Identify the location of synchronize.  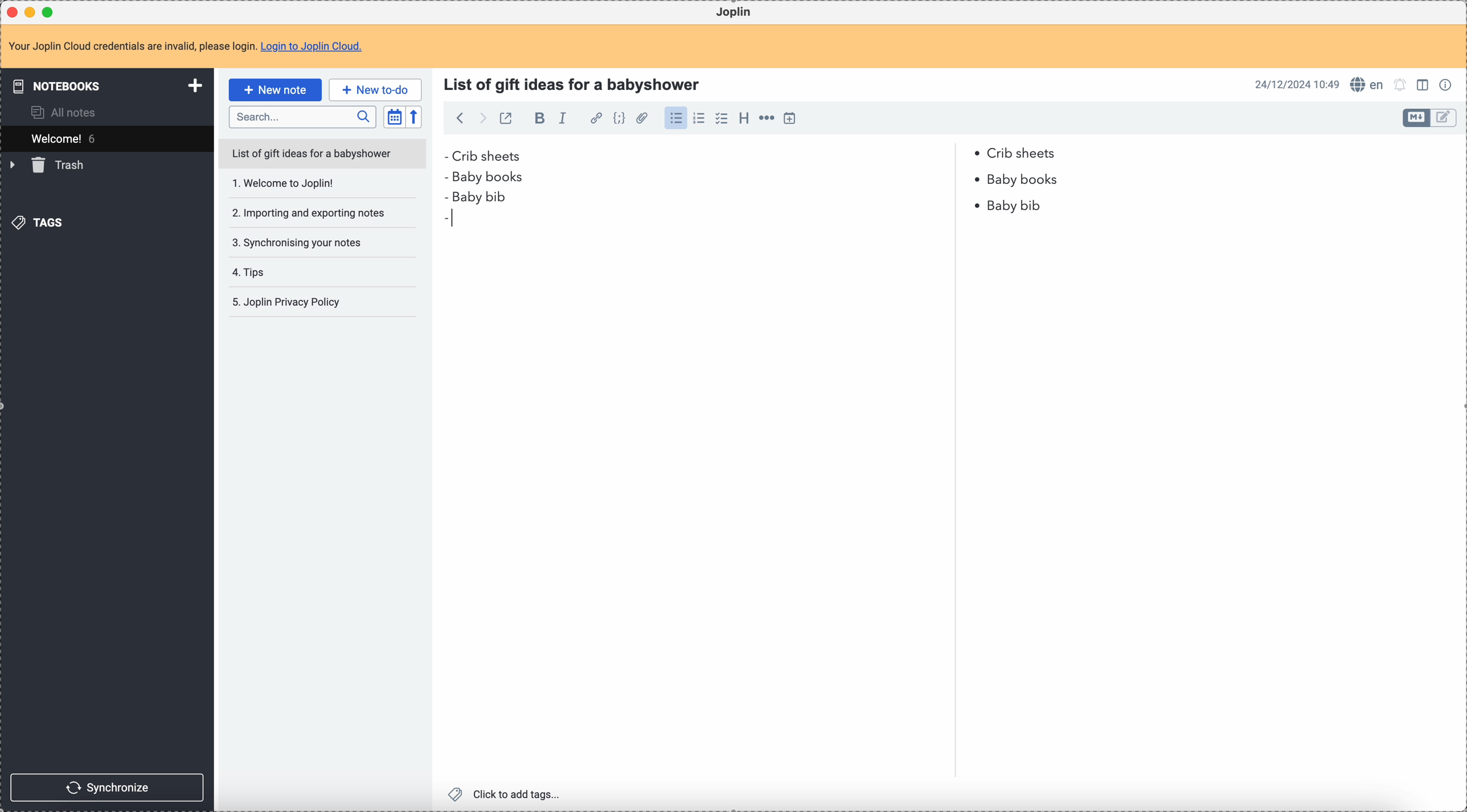
(109, 786).